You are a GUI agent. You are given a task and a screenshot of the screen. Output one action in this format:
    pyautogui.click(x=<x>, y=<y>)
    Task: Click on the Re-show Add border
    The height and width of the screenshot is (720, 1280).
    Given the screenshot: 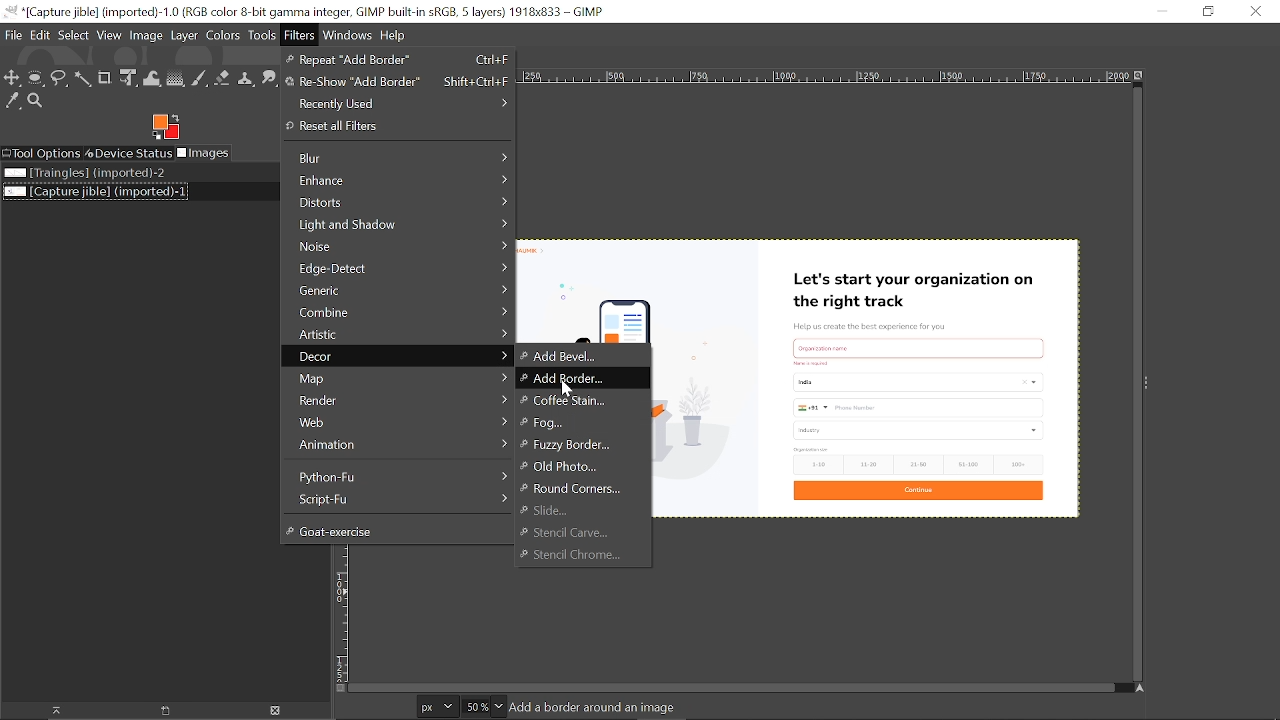 What is the action you would take?
    pyautogui.click(x=398, y=81)
    